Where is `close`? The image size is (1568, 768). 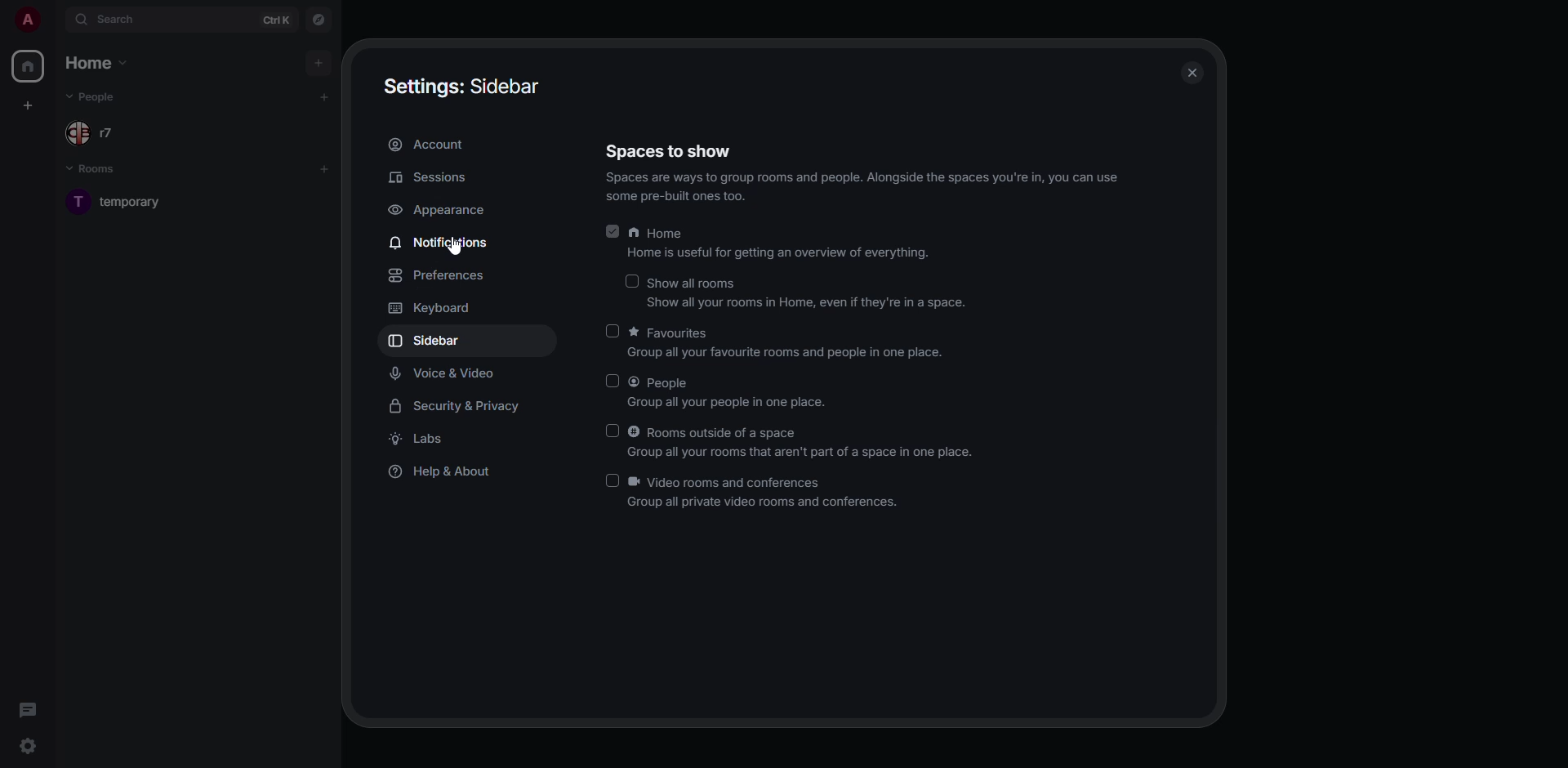
close is located at coordinates (1188, 74).